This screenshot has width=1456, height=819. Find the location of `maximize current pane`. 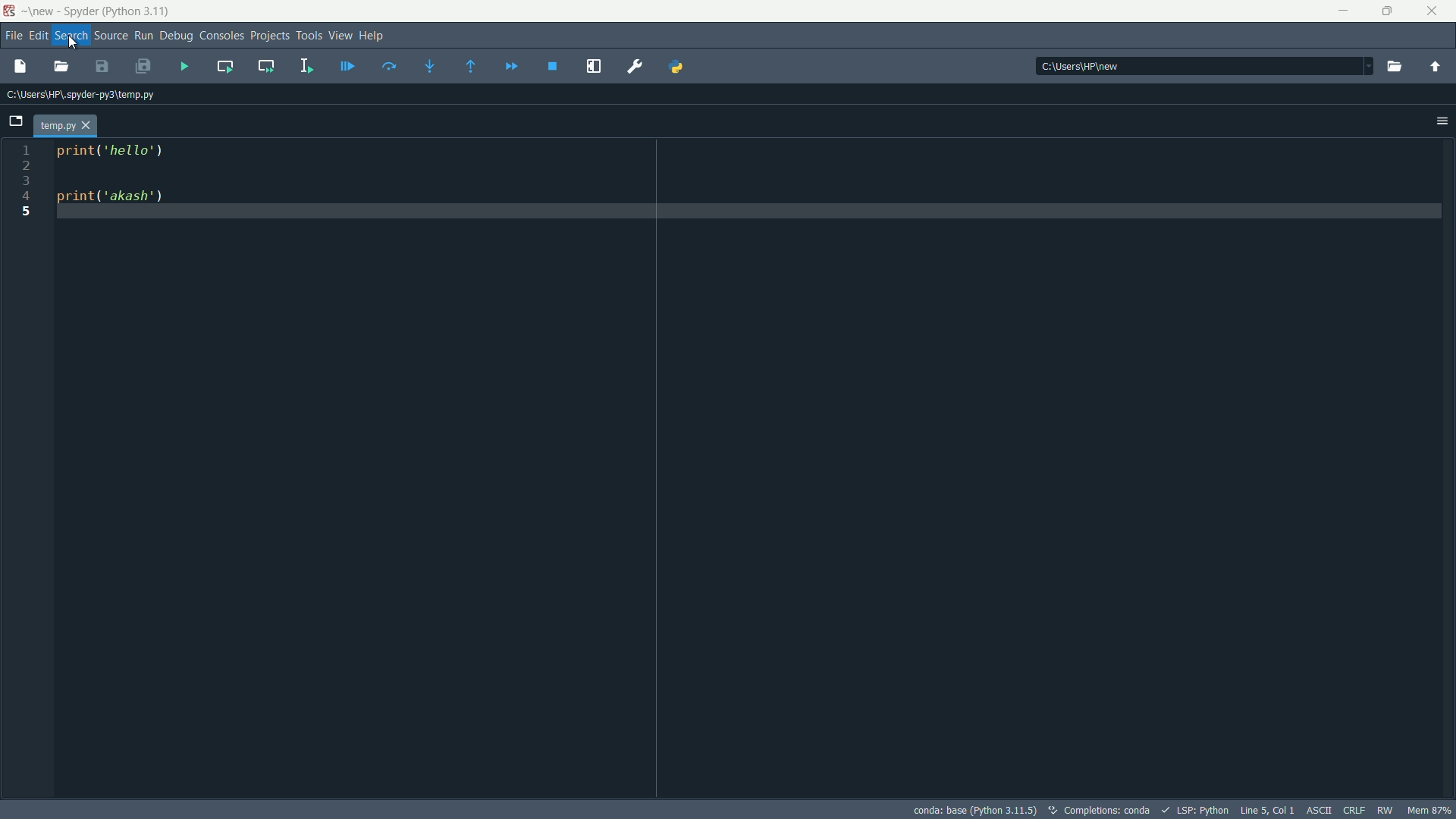

maximize current pane is located at coordinates (595, 67).